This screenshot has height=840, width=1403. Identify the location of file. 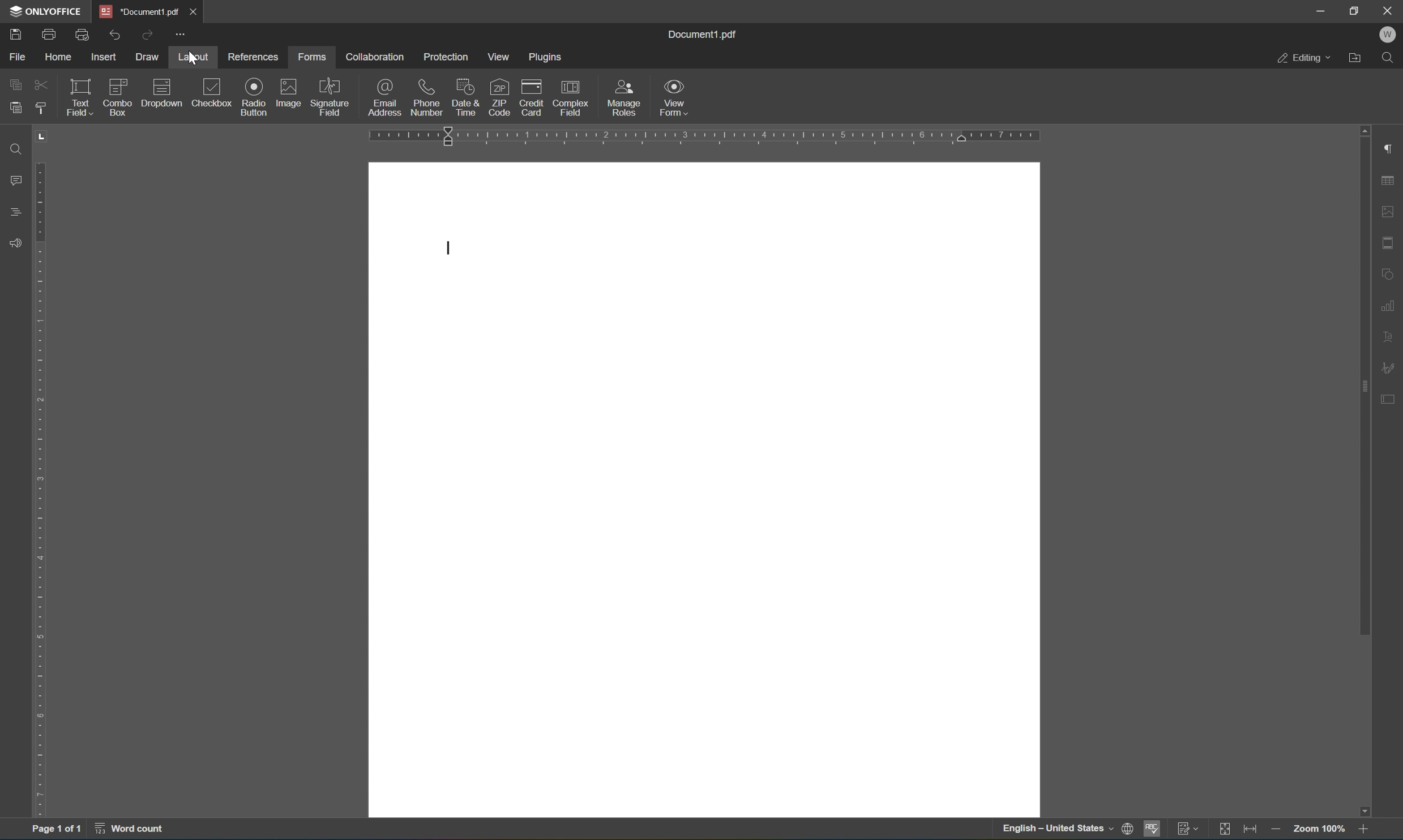
(18, 56).